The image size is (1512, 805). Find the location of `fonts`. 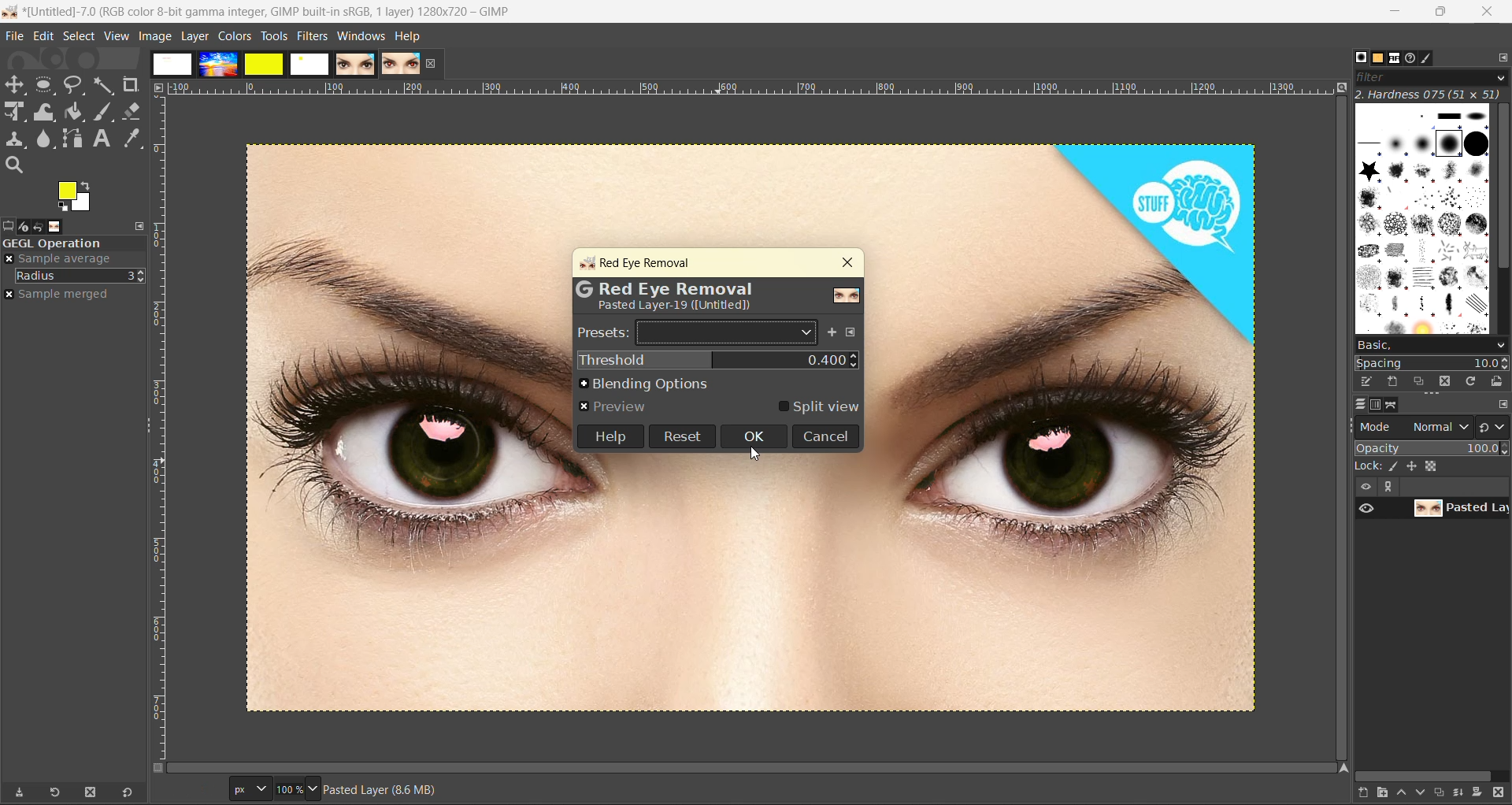

fonts is located at coordinates (1392, 58).